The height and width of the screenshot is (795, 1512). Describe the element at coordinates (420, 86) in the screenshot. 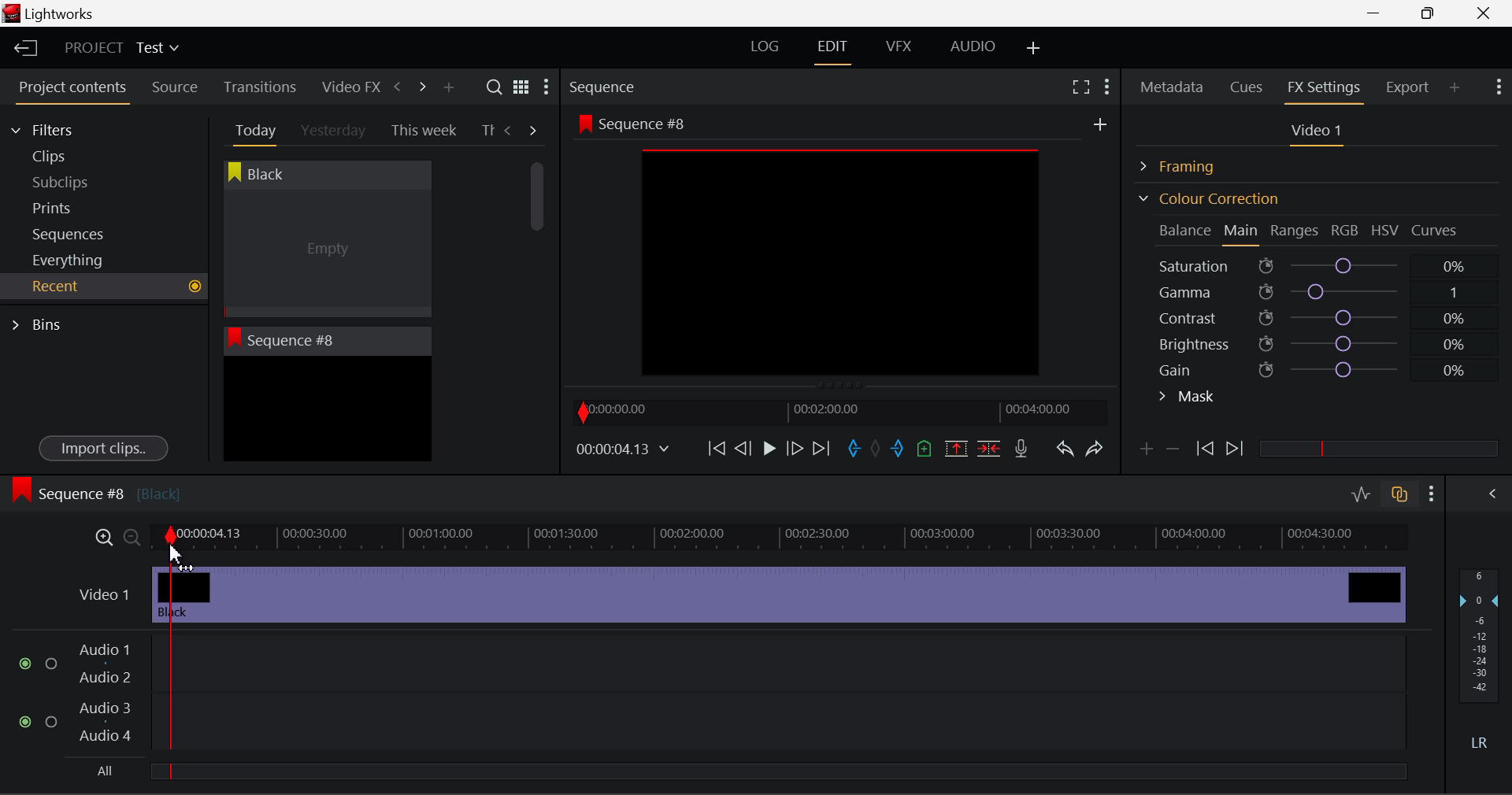

I see `Next Panel` at that location.